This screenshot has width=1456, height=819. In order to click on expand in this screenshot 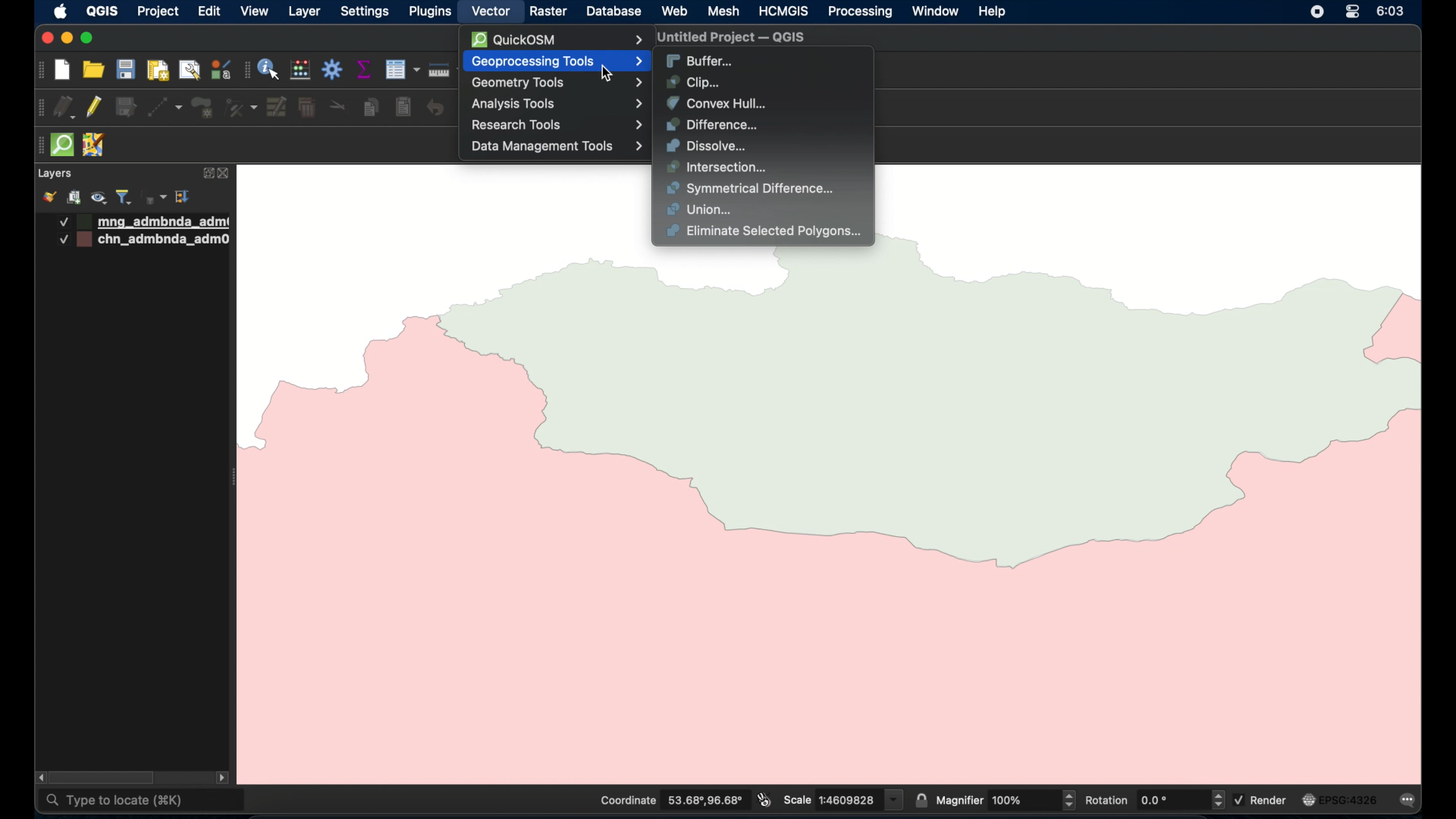, I will do `click(206, 174)`.